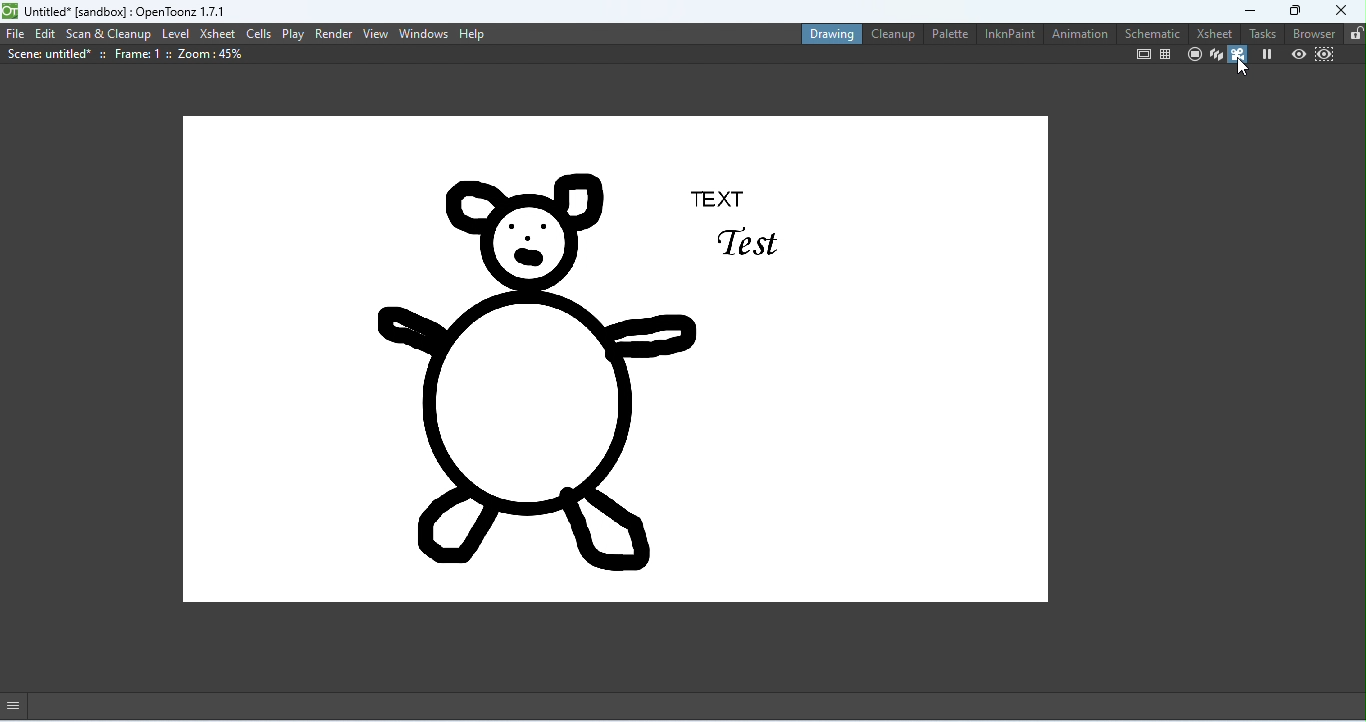  Describe the element at coordinates (472, 33) in the screenshot. I see `help` at that location.